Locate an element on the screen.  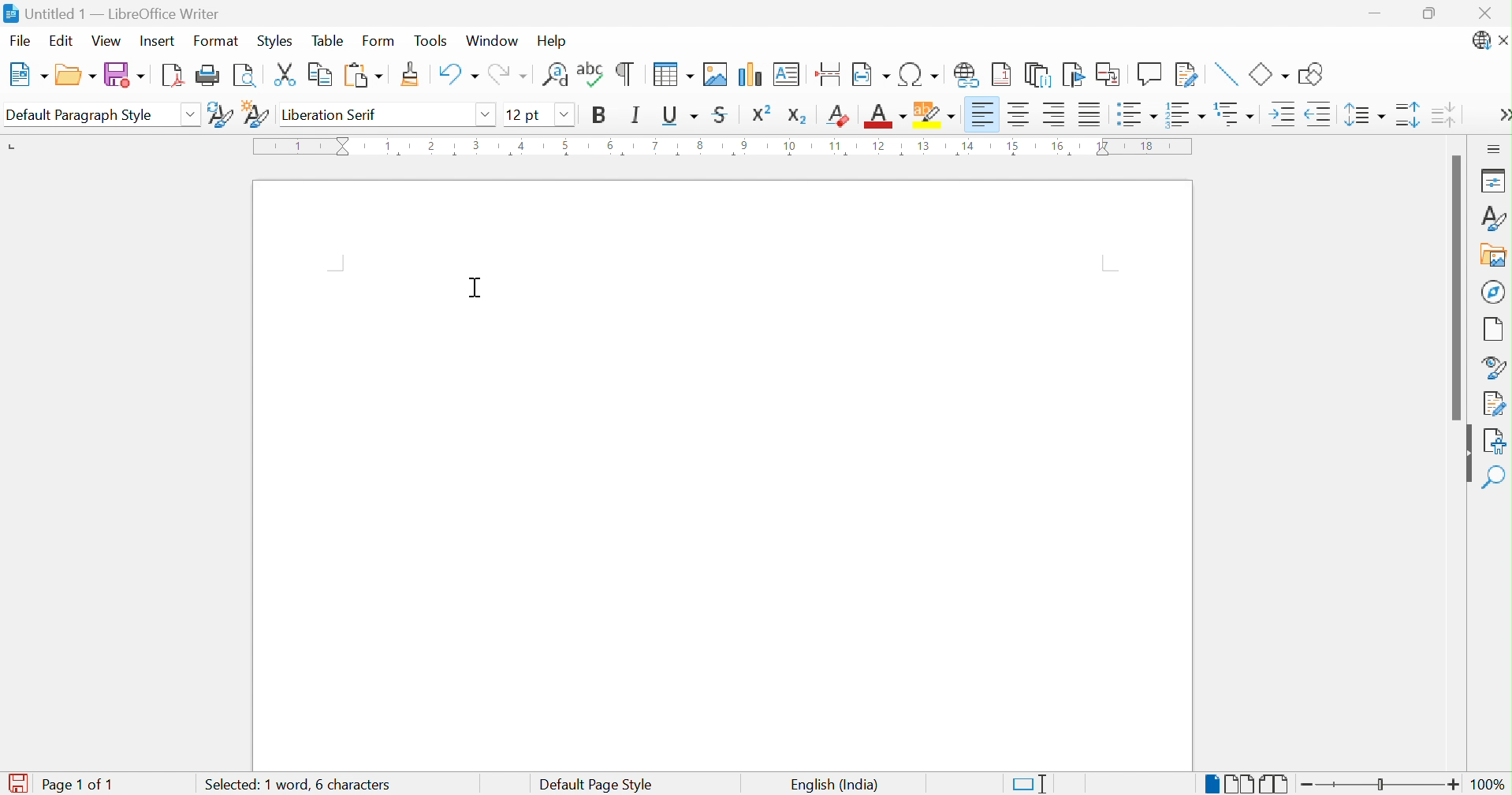
Slider is located at coordinates (1384, 786).